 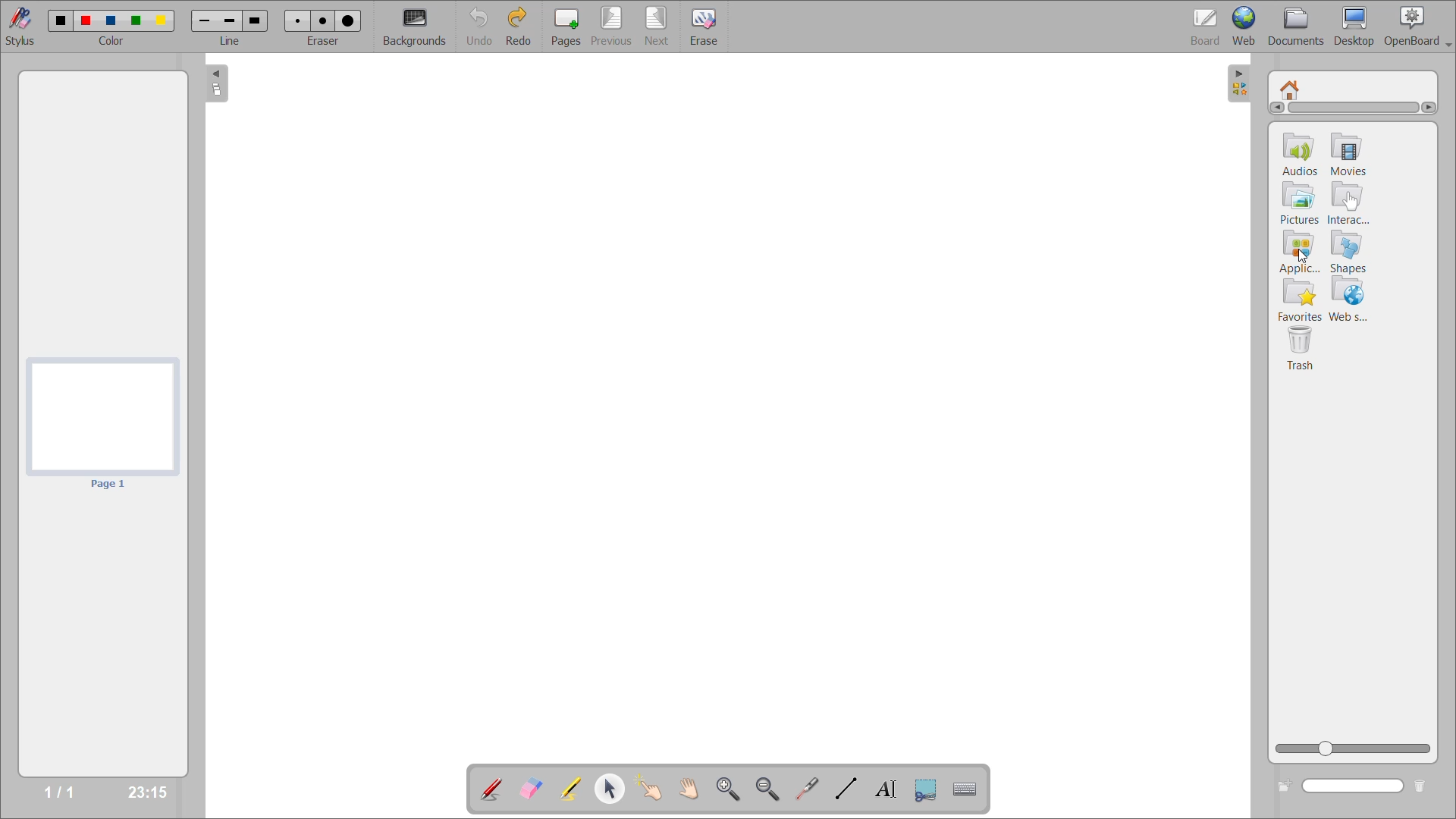 What do you see at coordinates (1208, 26) in the screenshot?
I see `board` at bounding box center [1208, 26].